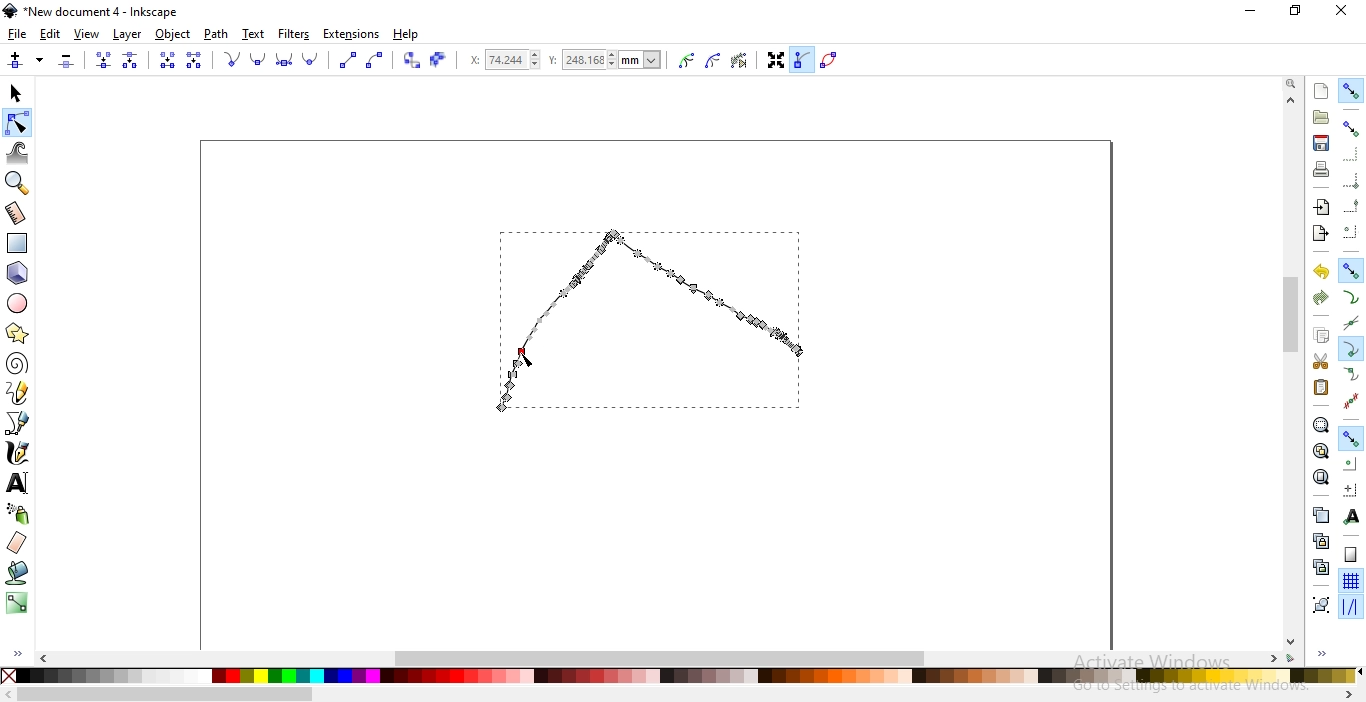 The width and height of the screenshot is (1366, 702). Describe the element at coordinates (1320, 514) in the screenshot. I see `duplicate selected objects` at that location.